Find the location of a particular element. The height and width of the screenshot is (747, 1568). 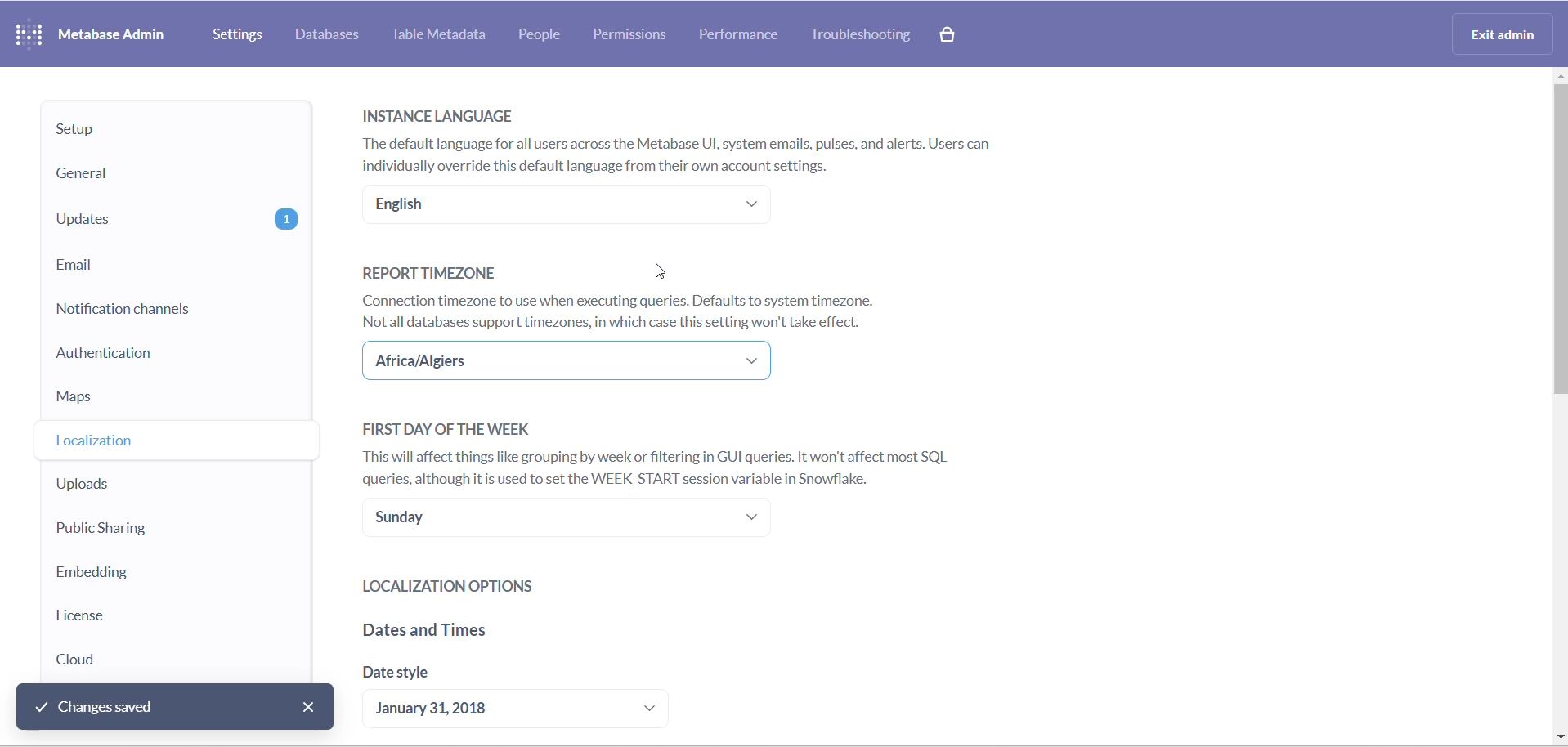

dates and times is located at coordinates (513, 634).